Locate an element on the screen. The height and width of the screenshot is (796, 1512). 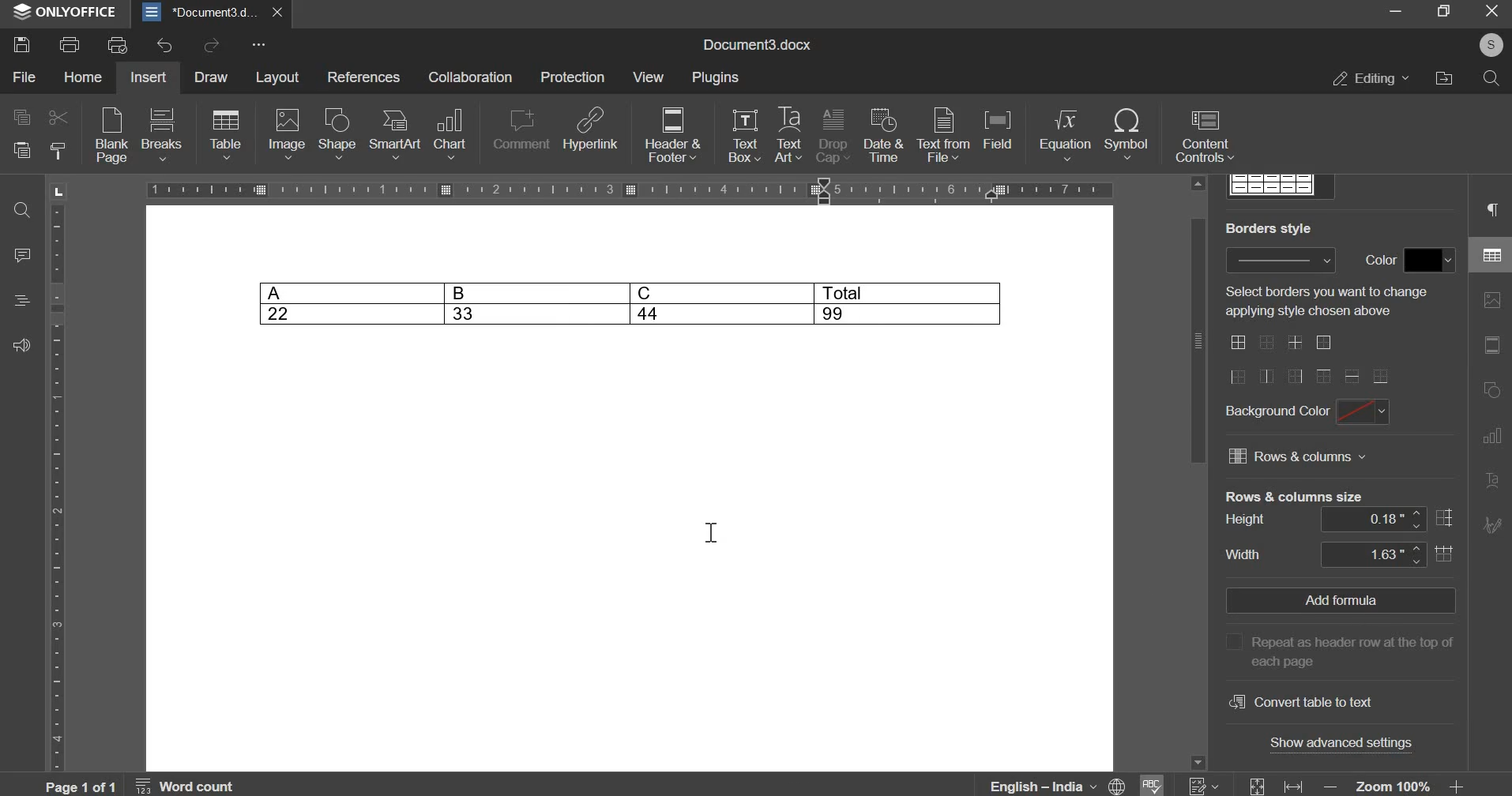
border style is located at coordinates (1280, 261).